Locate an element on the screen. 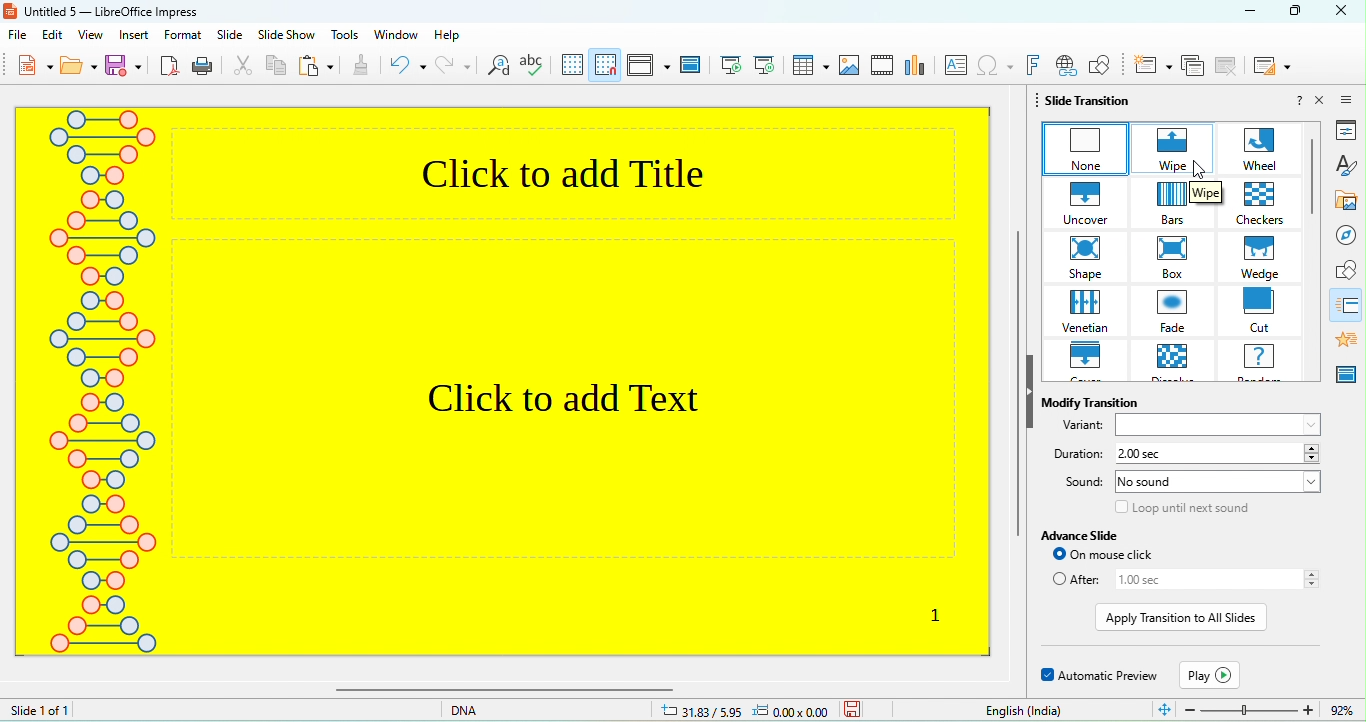 The width and height of the screenshot is (1366, 722). current slide is located at coordinates (764, 65).